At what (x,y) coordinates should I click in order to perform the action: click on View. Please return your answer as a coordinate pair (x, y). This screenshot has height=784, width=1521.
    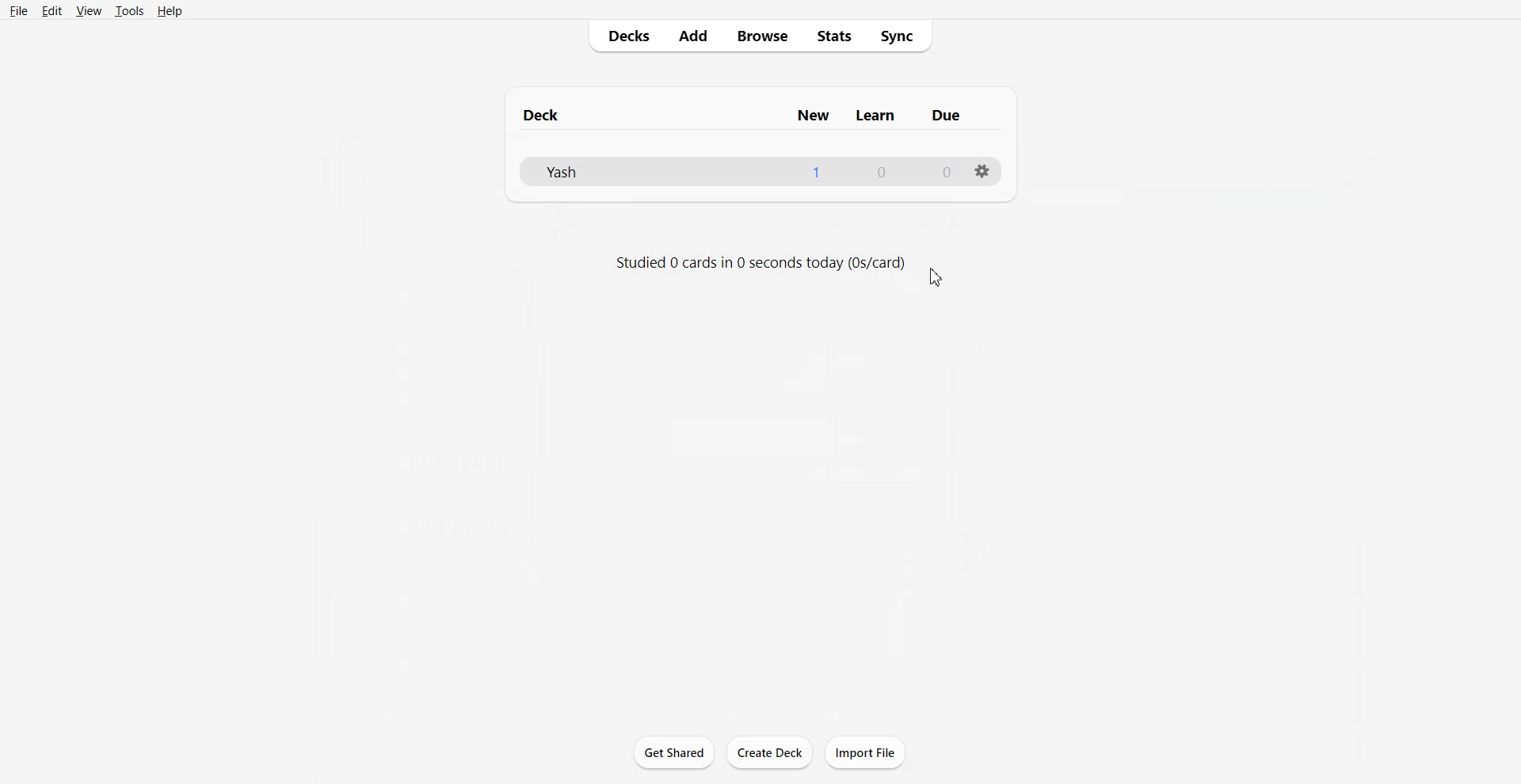
    Looking at the image, I should click on (89, 10).